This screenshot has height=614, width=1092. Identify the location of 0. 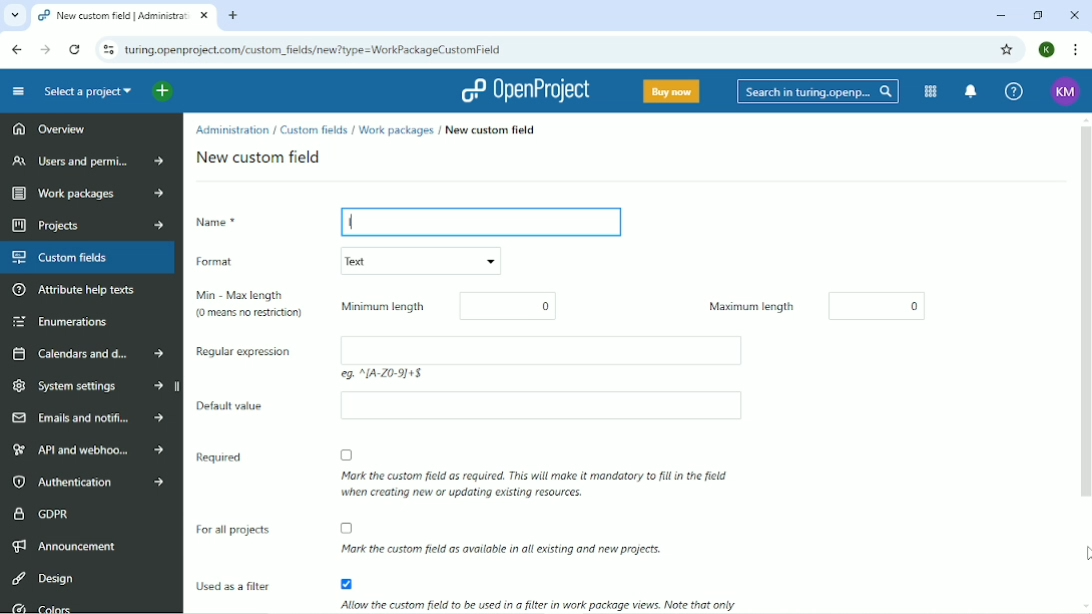
(881, 304).